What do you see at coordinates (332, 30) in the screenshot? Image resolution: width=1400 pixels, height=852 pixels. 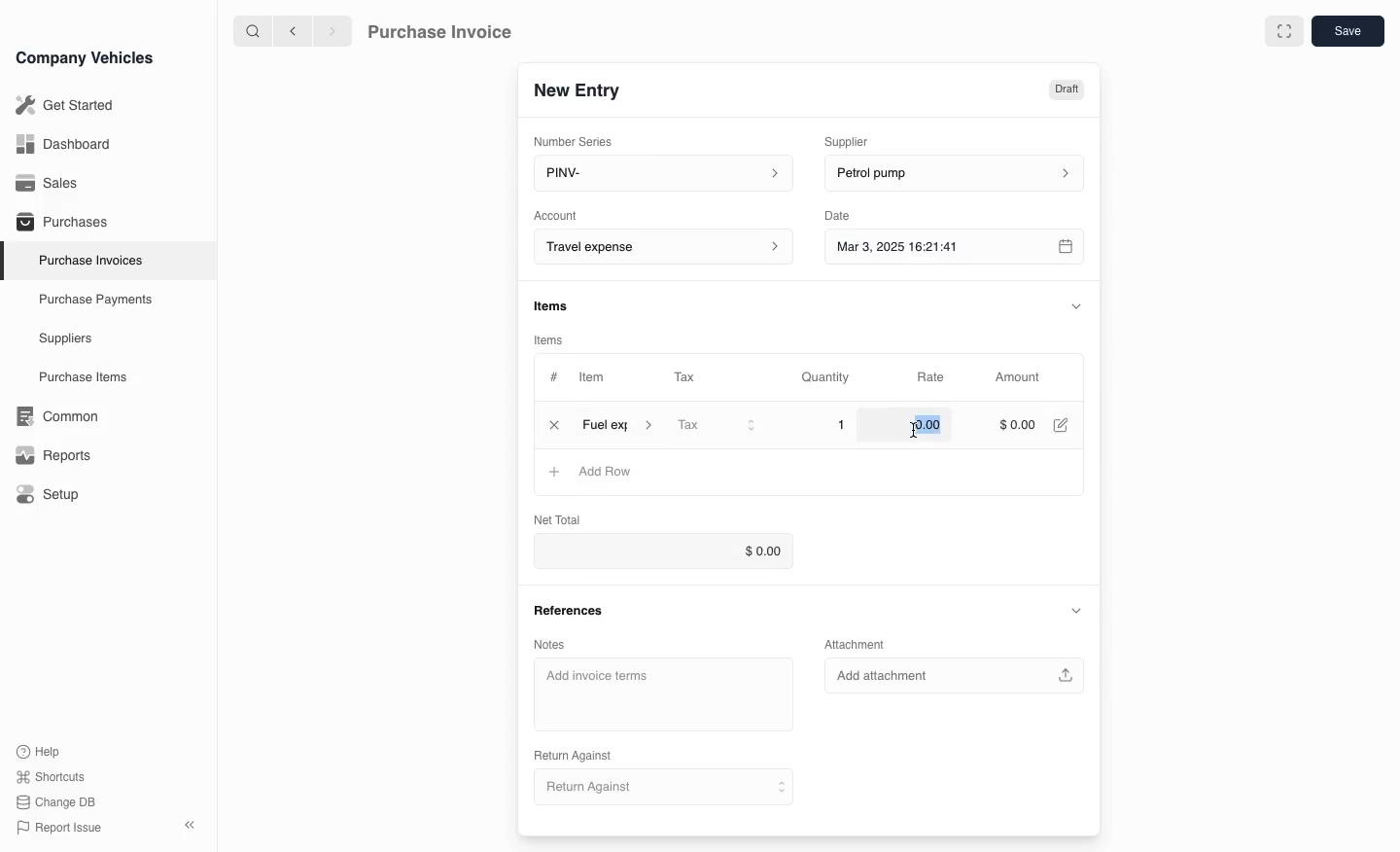 I see `next` at bounding box center [332, 30].